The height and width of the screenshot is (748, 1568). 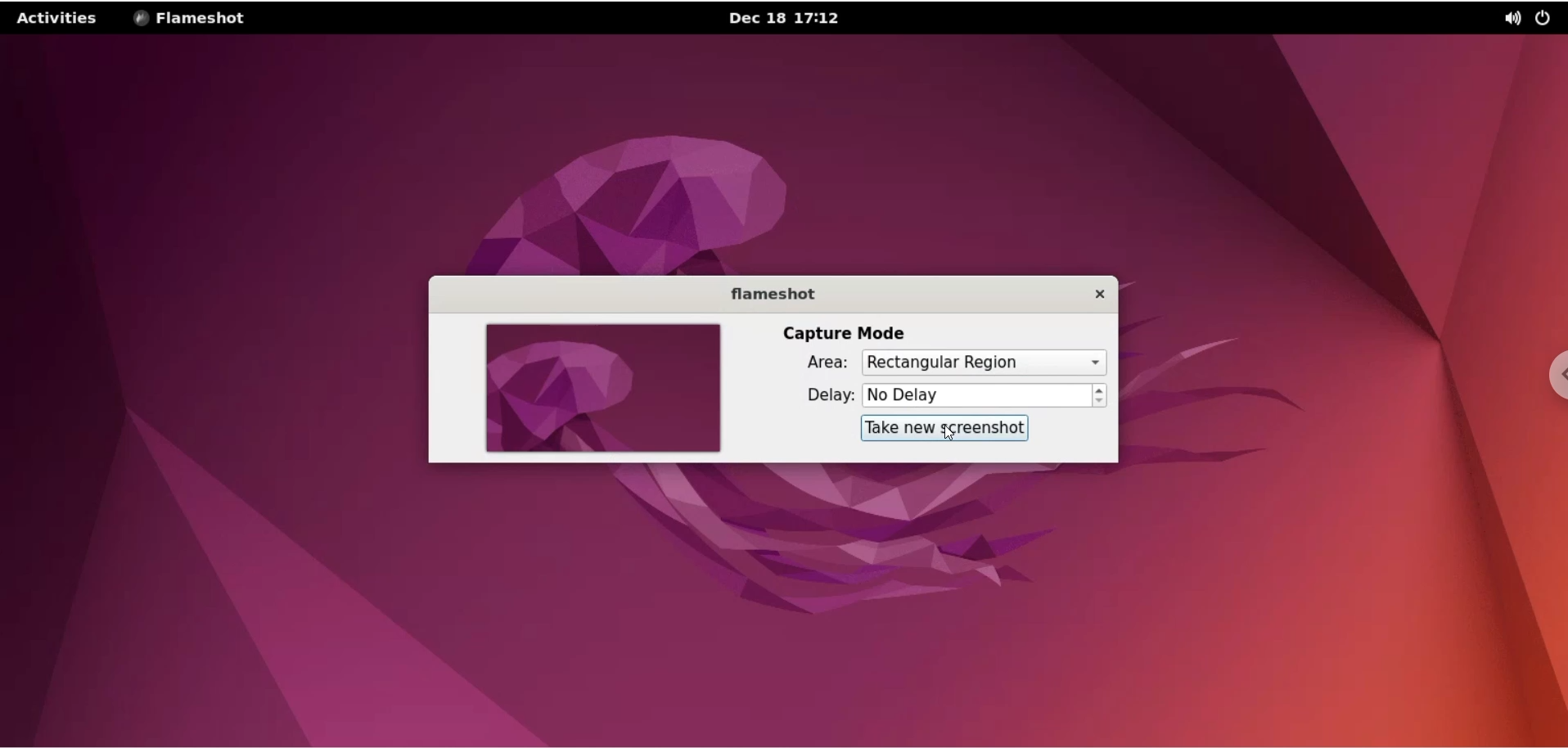 What do you see at coordinates (1545, 19) in the screenshot?
I see `on/off button` at bounding box center [1545, 19].